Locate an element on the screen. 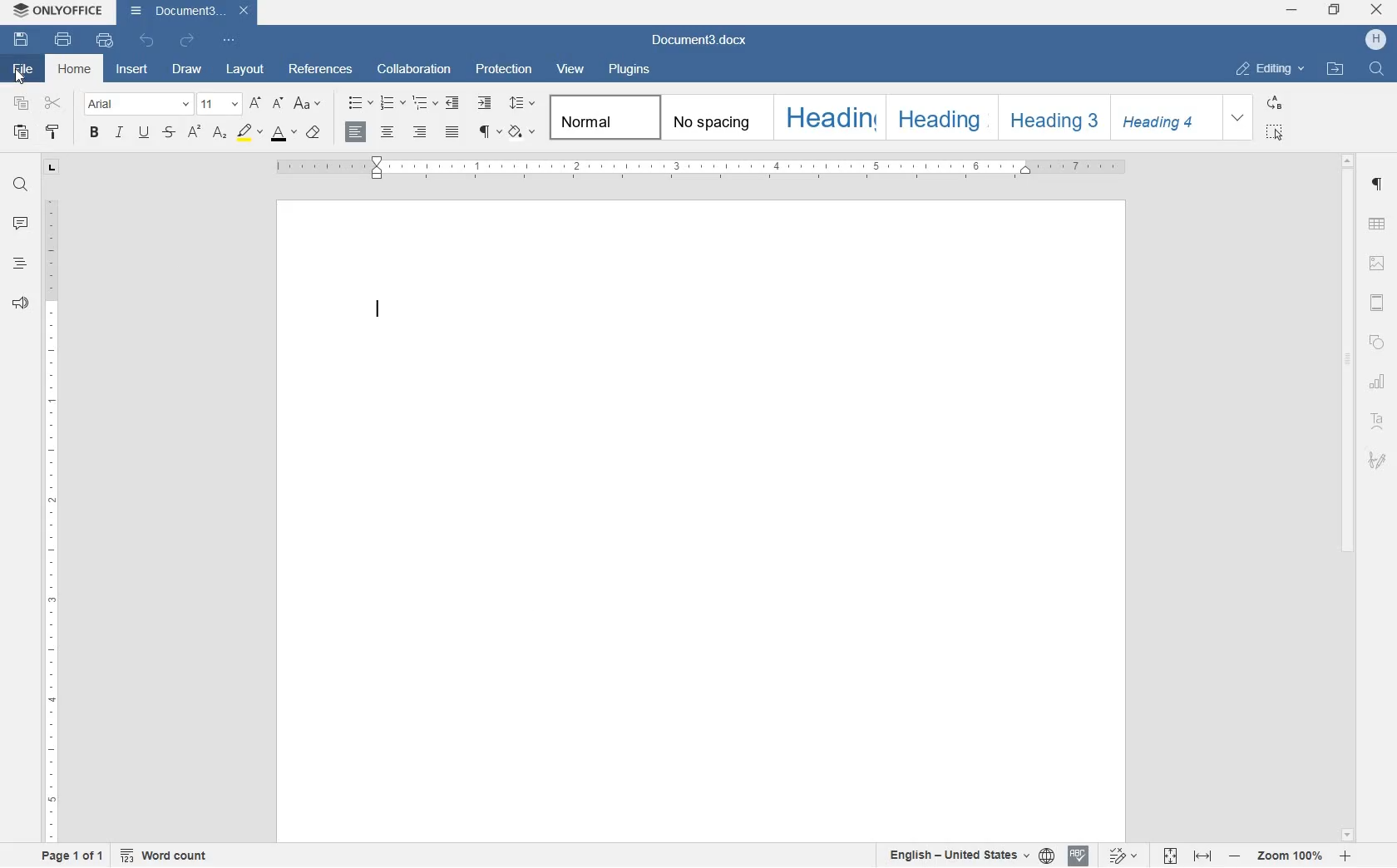  normal is located at coordinates (602, 116).